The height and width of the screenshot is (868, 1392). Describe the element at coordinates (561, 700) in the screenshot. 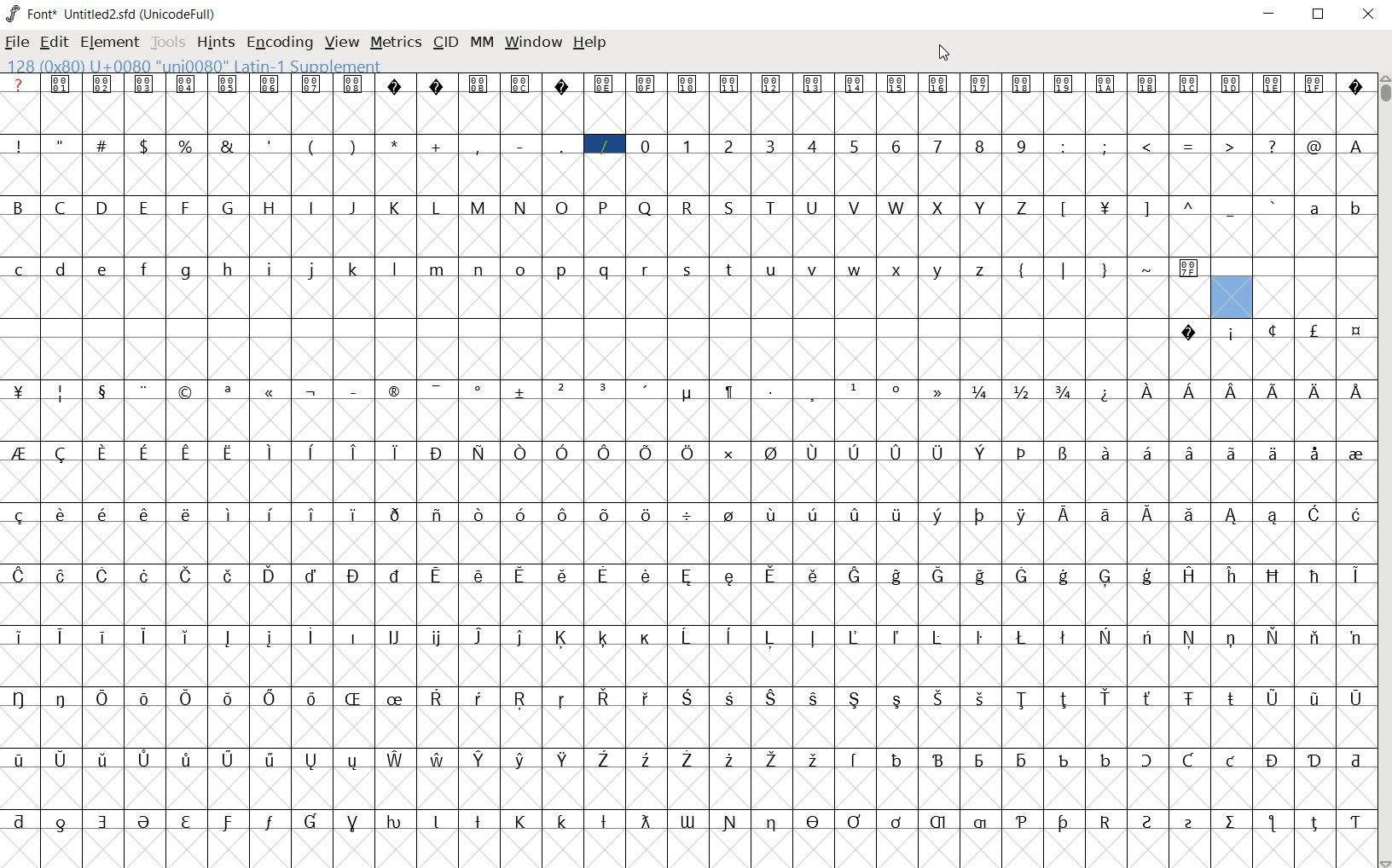

I see `glyph` at that location.